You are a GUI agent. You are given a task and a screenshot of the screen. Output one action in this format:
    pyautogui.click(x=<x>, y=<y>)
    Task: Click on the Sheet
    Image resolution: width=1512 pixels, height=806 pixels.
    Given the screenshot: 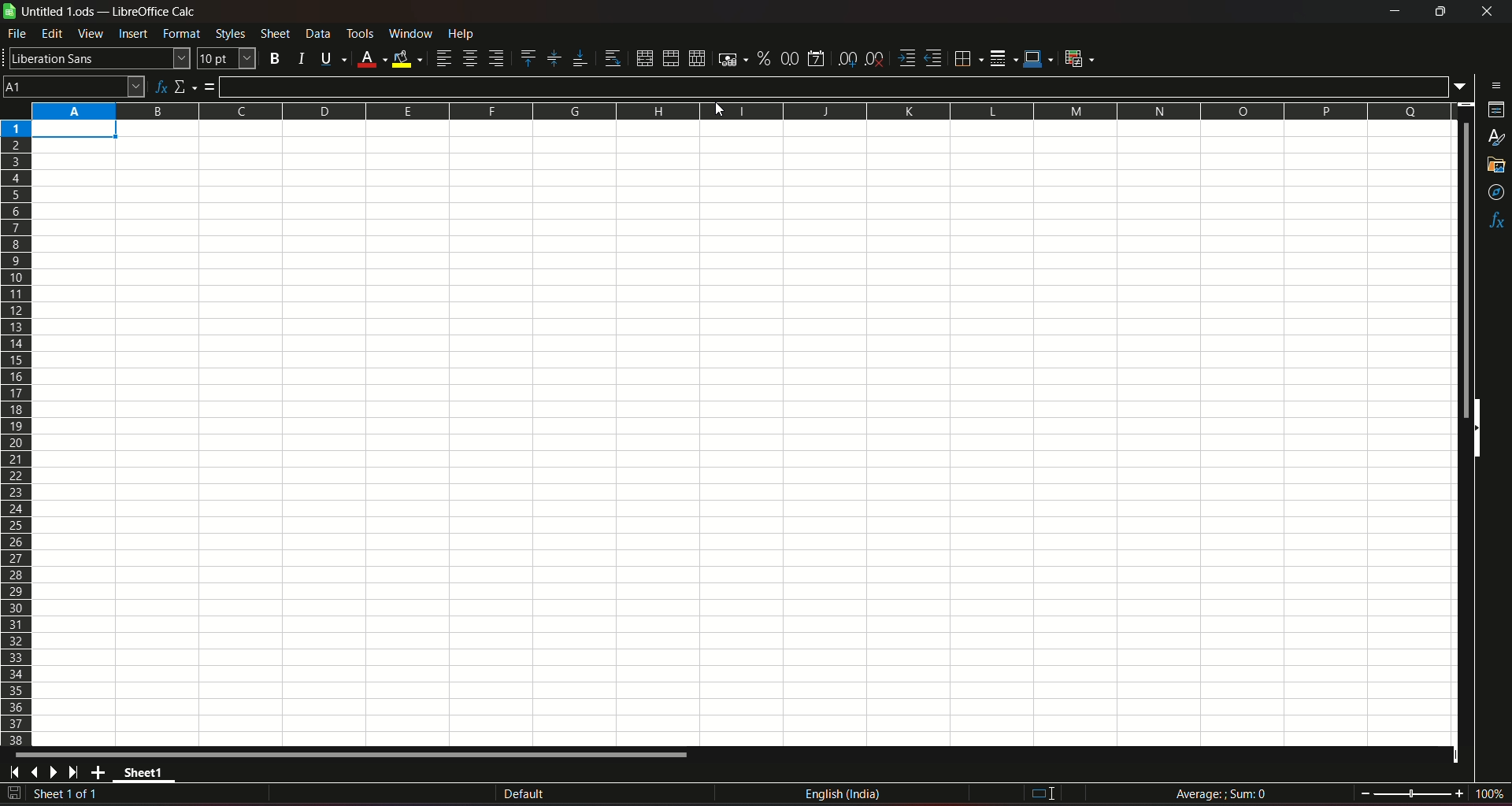 What is the action you would take?
    pyautogui.click(x=274, y=34)
    